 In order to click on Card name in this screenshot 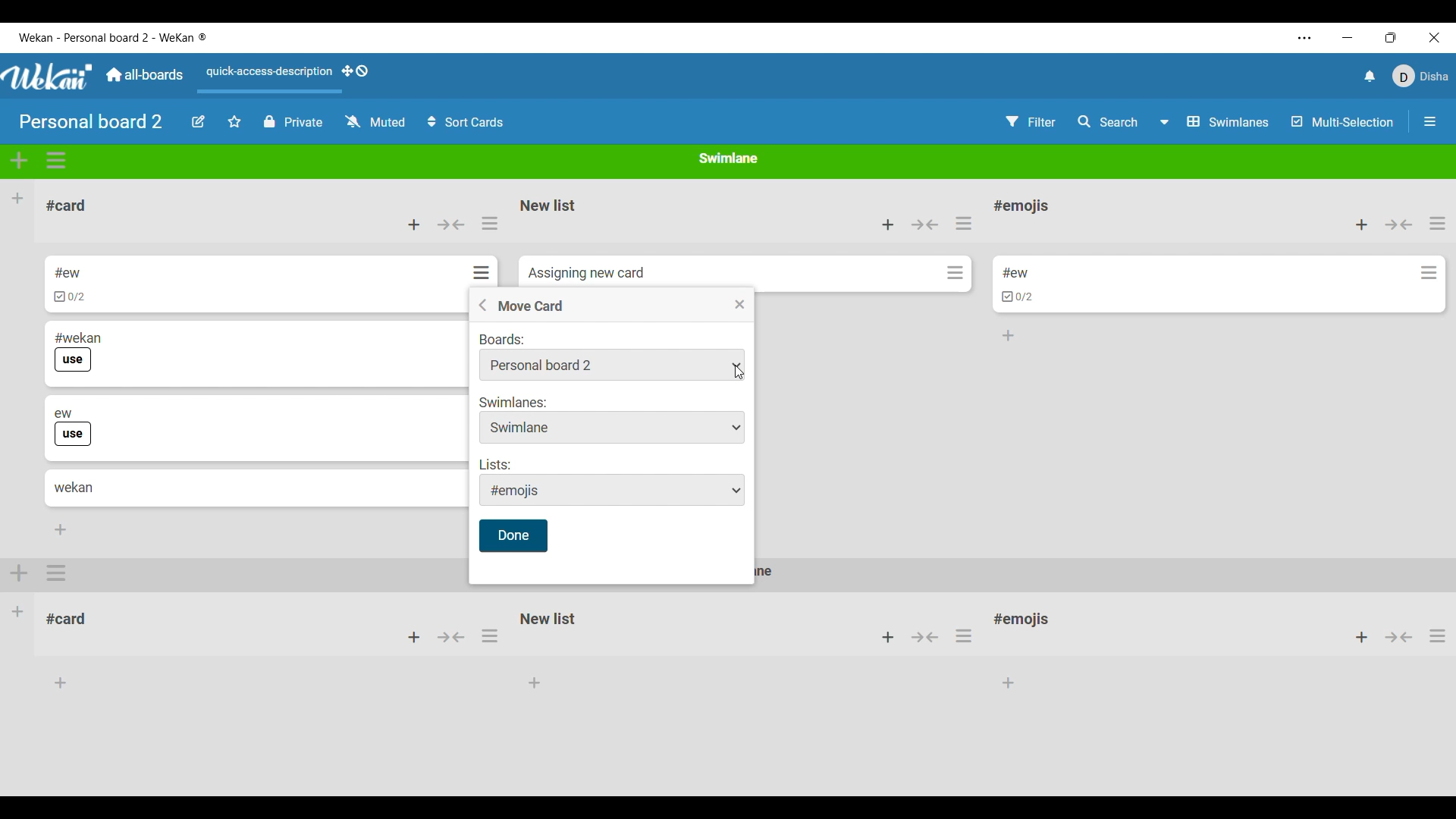, I will do `click(586, 274)`.